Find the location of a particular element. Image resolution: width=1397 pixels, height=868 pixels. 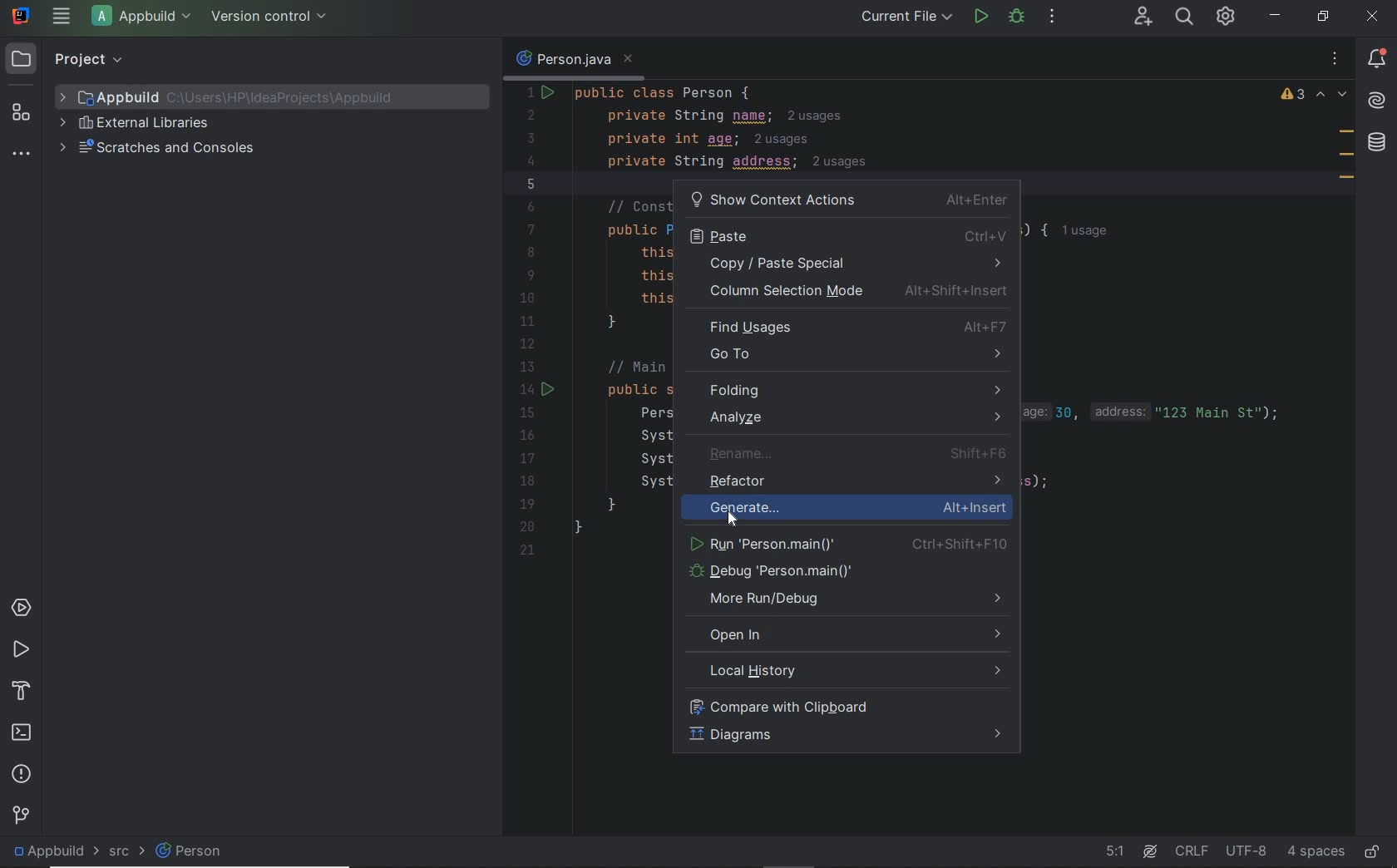

src is located at coordinates (116, 854).